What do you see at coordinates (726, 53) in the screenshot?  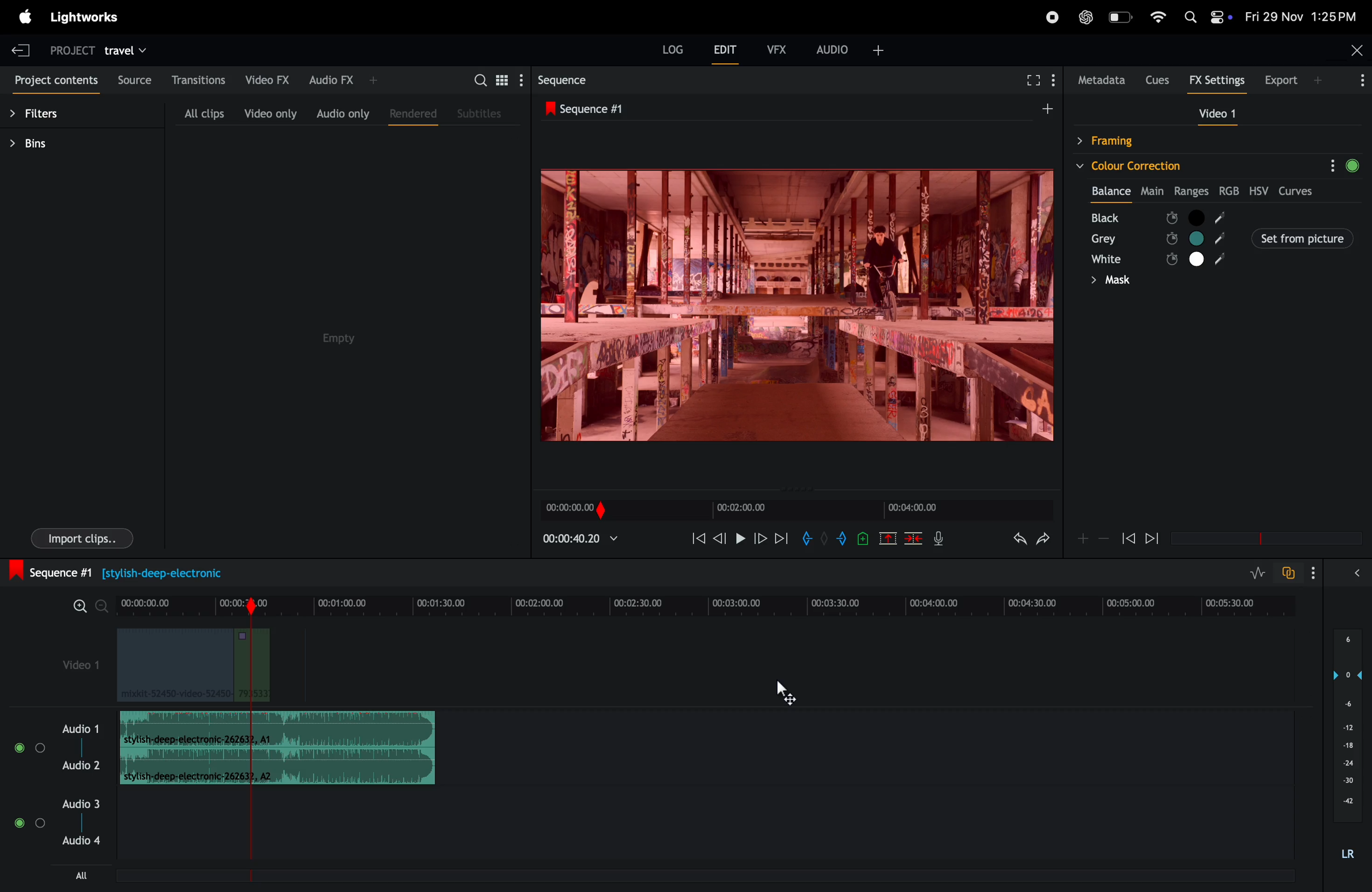 I see `edit` at bounding box center [726, 53].